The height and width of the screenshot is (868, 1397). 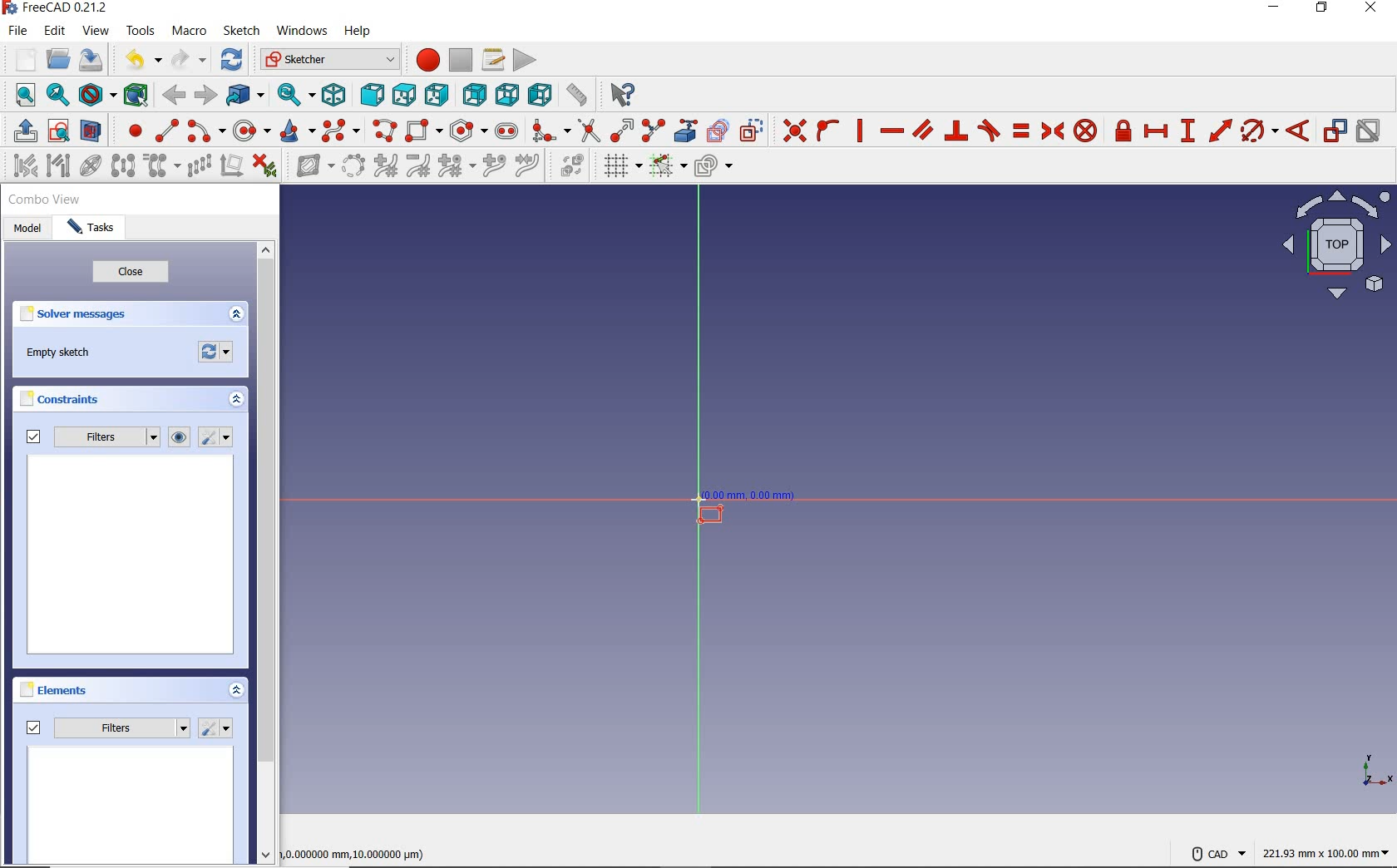 What do you see at coordinates (1260, 131) in the screenshot?
I see `constraint arc/circle` at bounding box center [1260, 131].